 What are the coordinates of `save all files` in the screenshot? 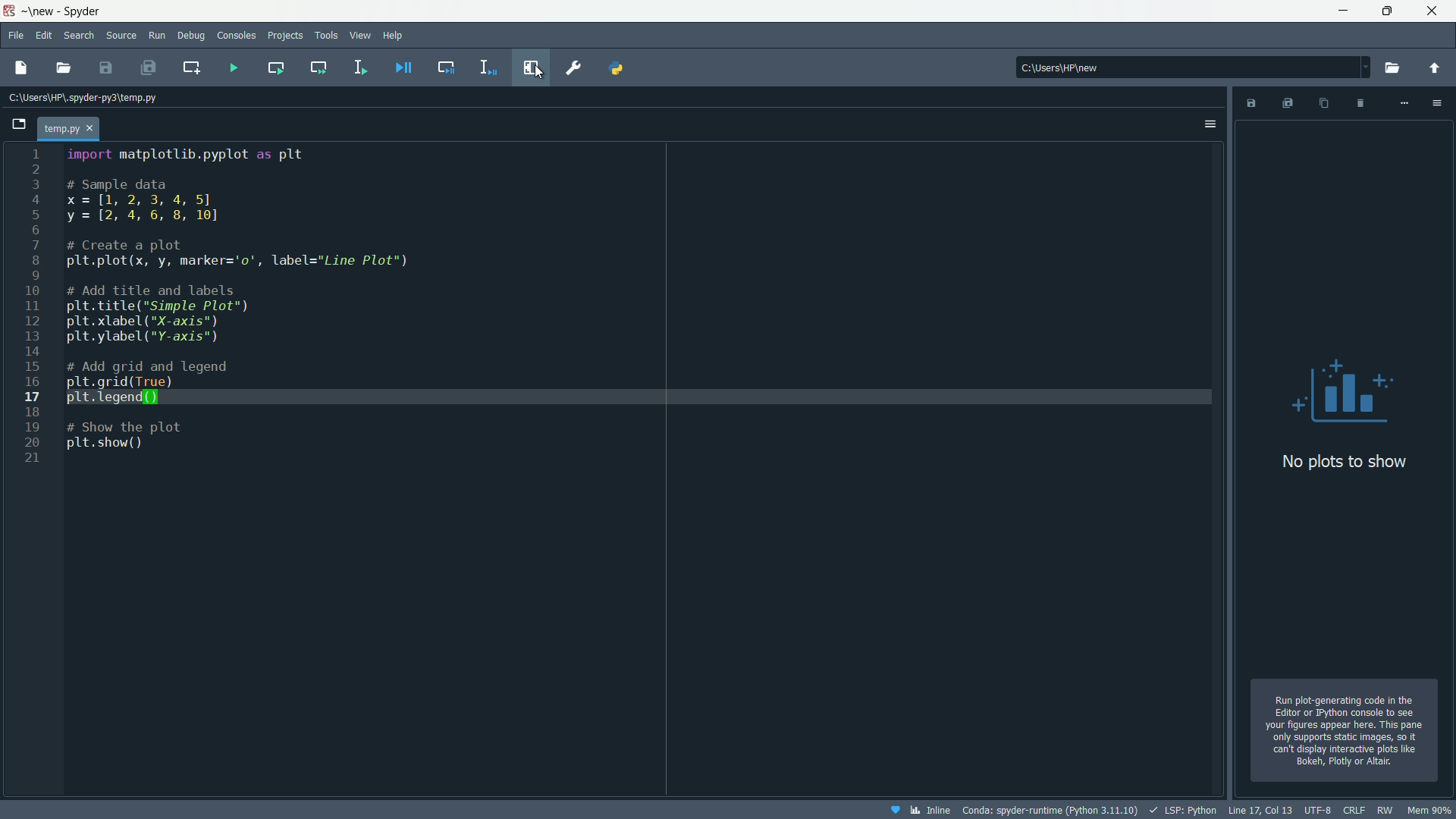 It's located at (146, 67).